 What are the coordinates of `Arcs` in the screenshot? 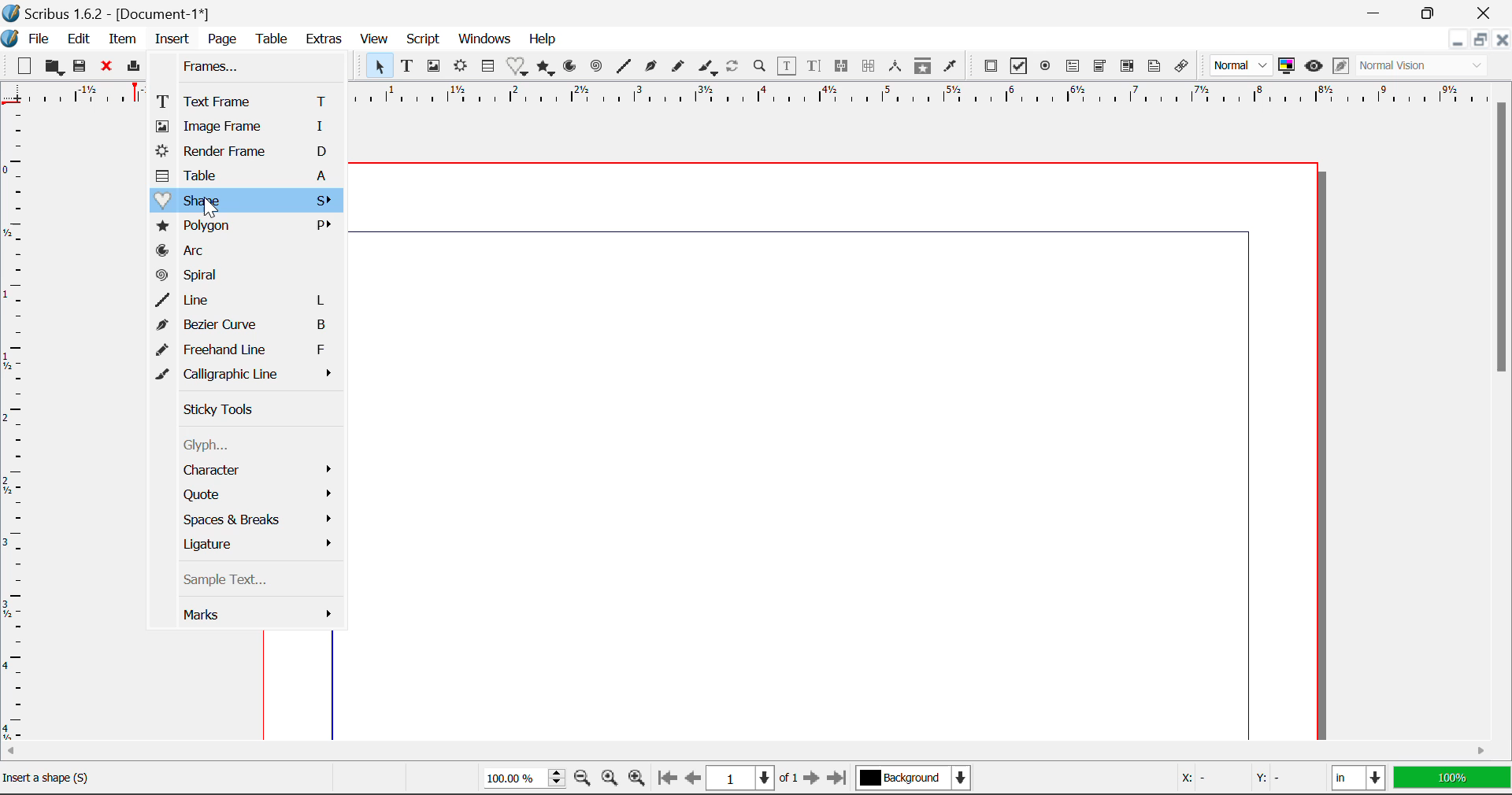 It's located at (569, 66).